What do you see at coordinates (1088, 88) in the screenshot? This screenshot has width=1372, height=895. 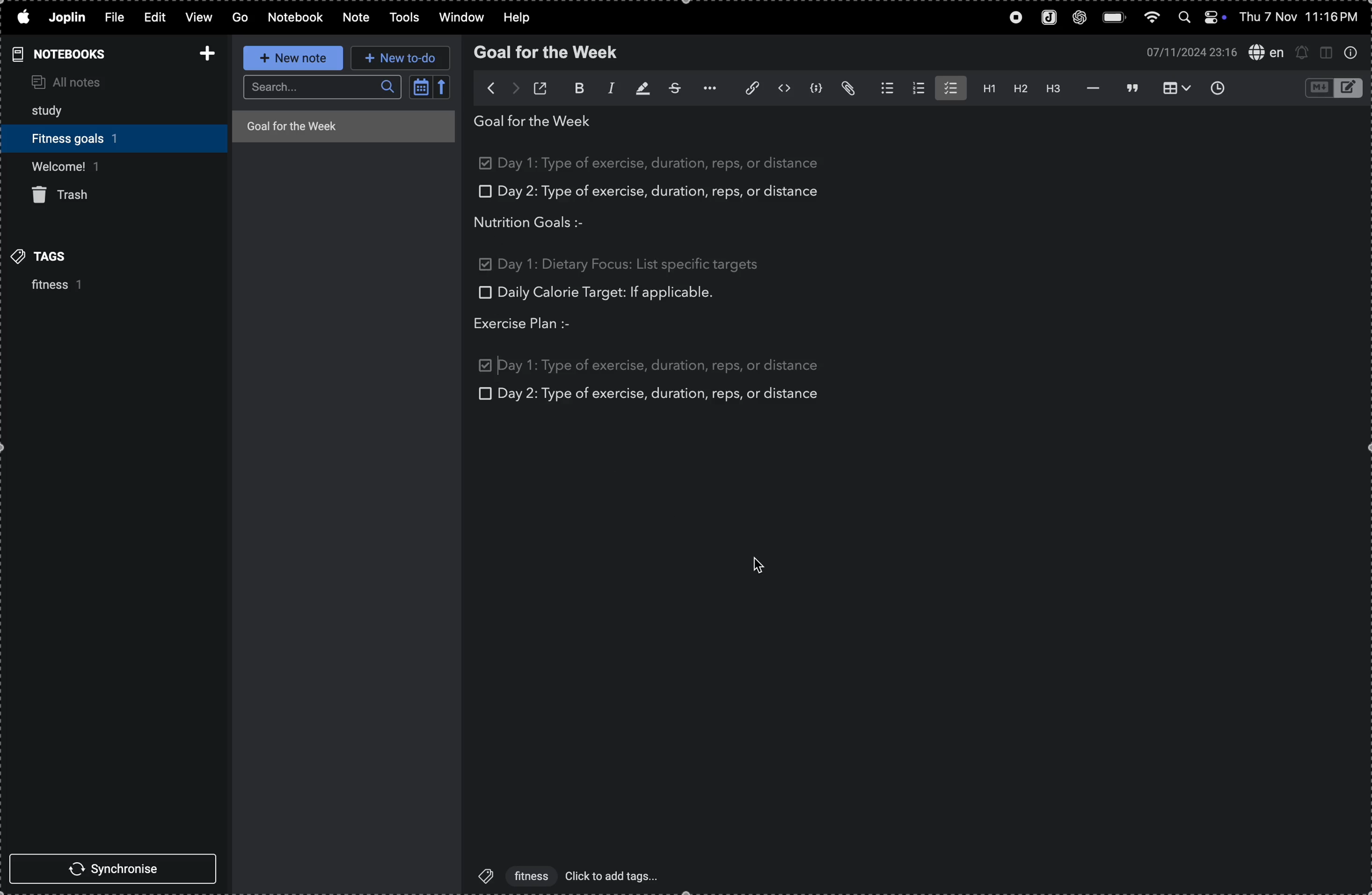 I see `horizontal line` at bounding box center [1088, 88].